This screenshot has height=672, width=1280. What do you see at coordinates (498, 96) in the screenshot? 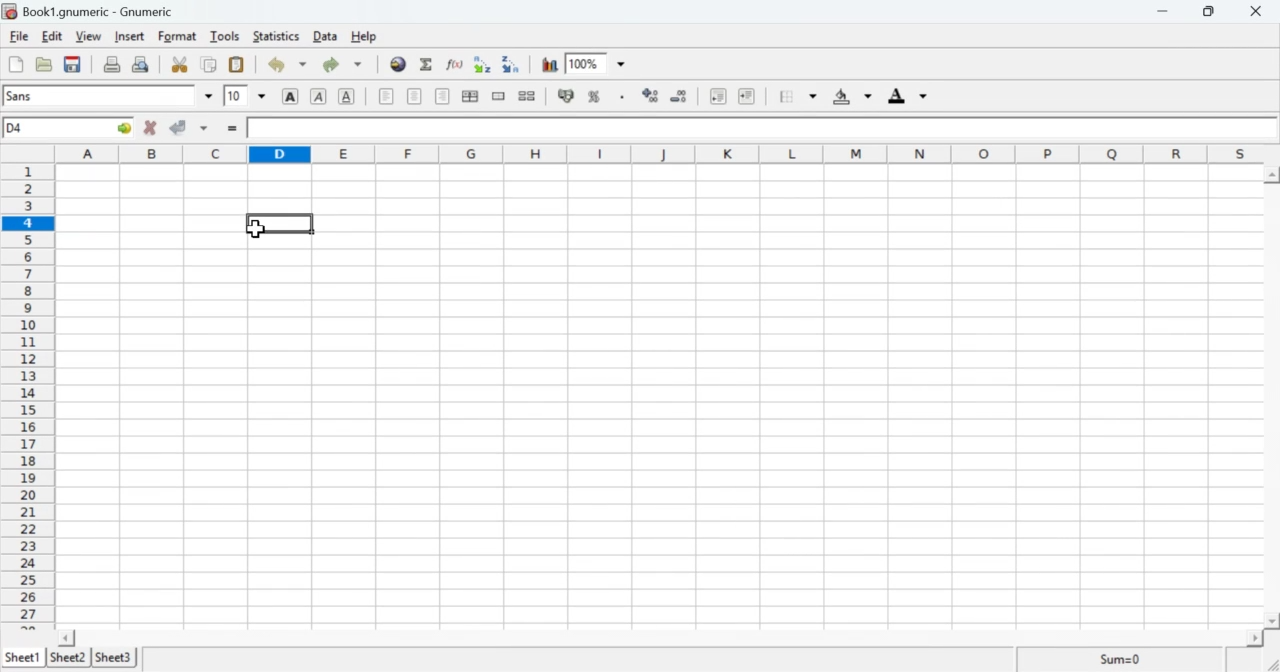
I see `Merge cells` at bounding box center [498, 96].